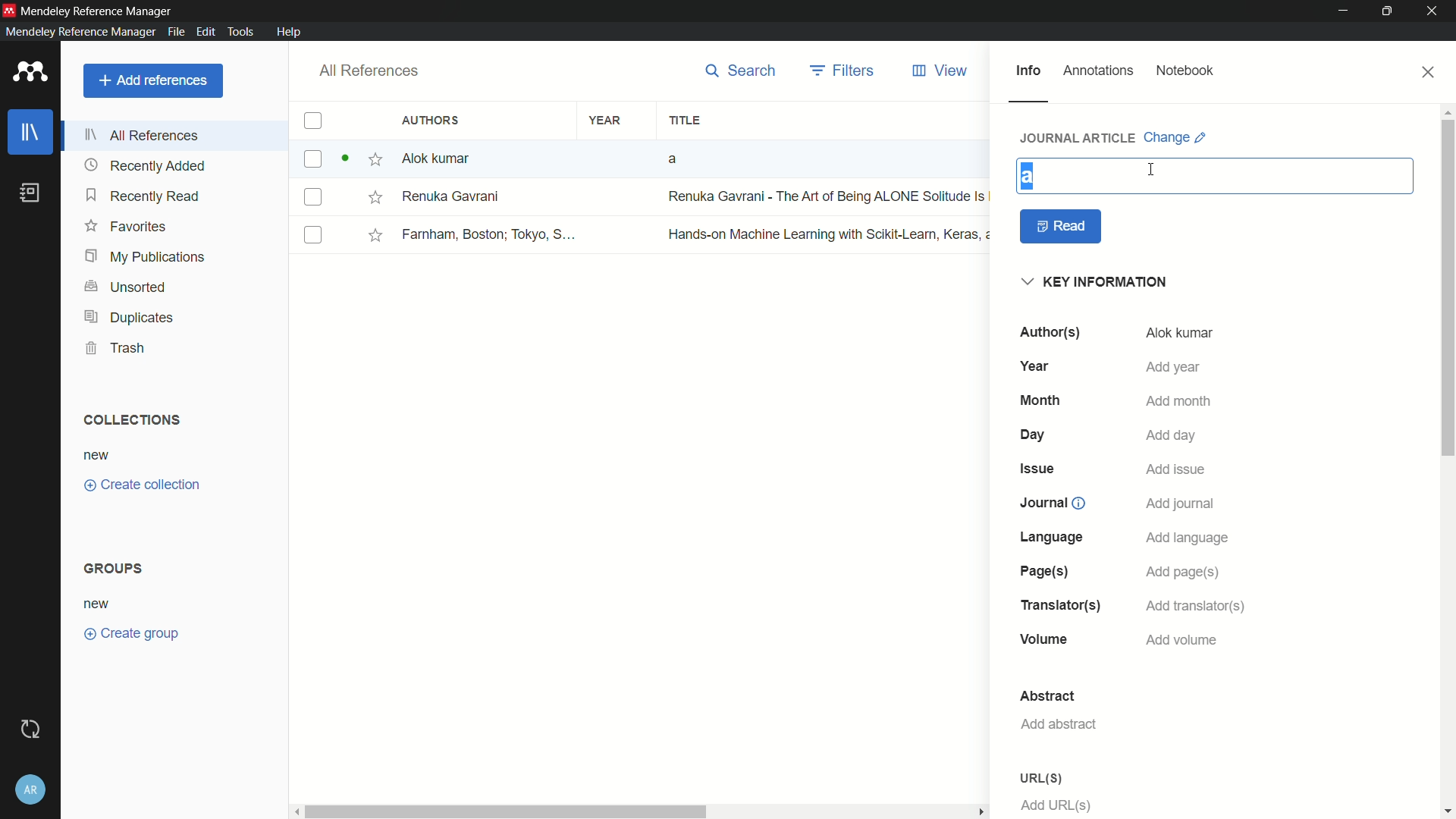  What do you see at coordinates (1435, 11) in the screenshot?
I see `close app` at bounding box center [1435, 11].